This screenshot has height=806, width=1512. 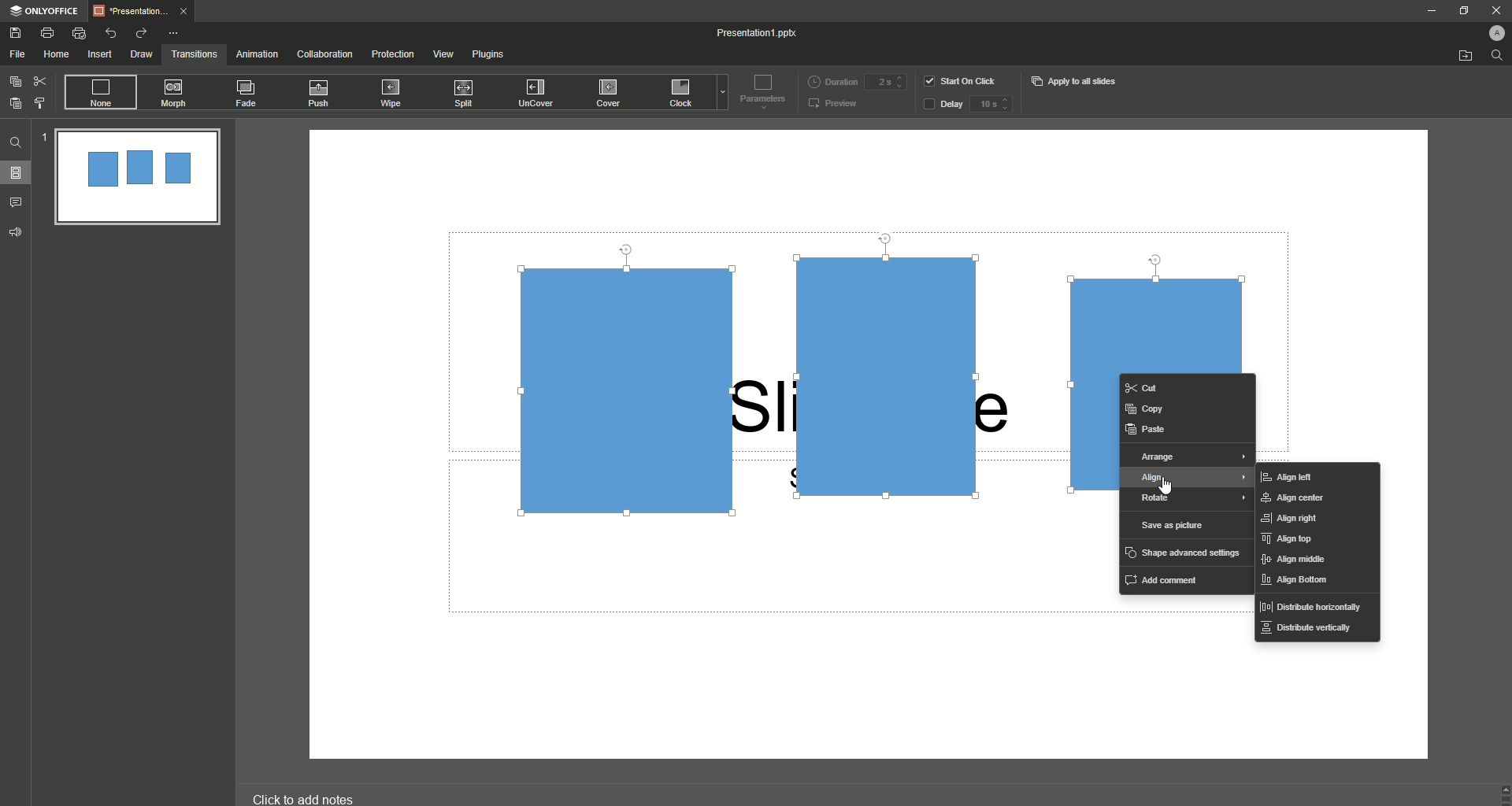 I want to click on delay input, so click(x=991, y=104).